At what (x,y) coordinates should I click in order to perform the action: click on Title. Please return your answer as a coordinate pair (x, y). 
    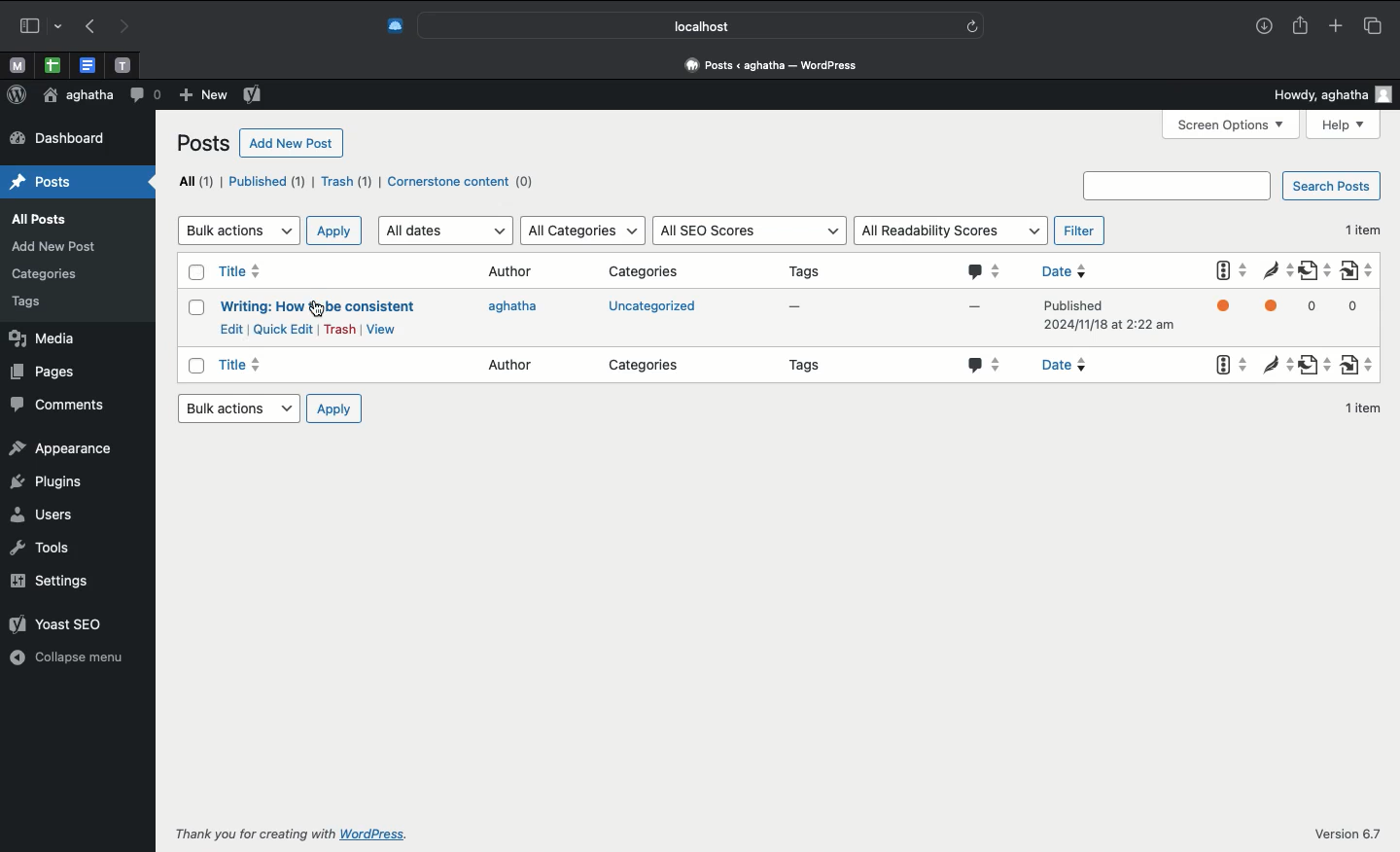
    Looking at the image, I should click on (249, 368).